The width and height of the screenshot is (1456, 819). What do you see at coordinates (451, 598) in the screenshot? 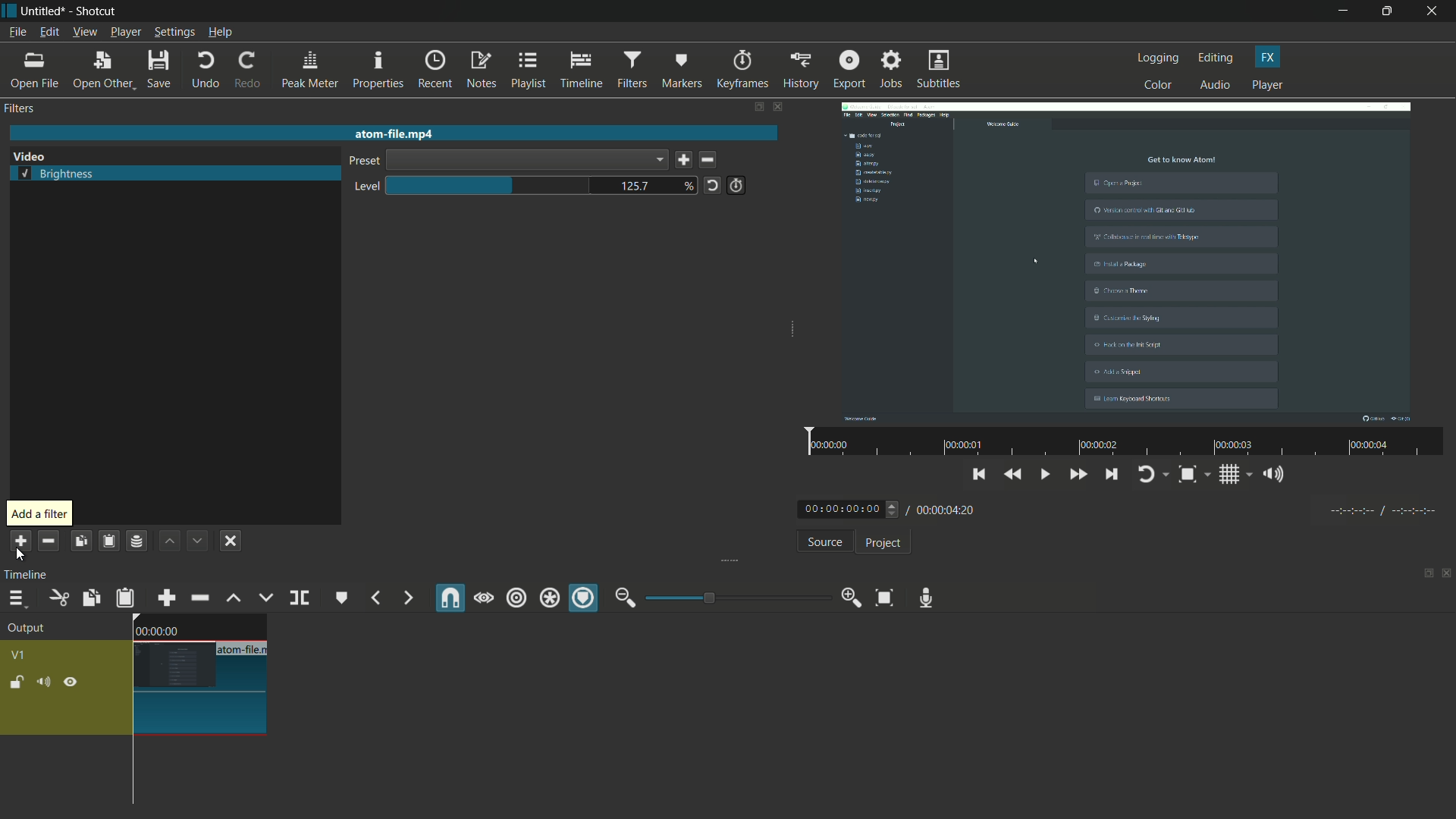
I see `snap` at bounding box center [451, 598].